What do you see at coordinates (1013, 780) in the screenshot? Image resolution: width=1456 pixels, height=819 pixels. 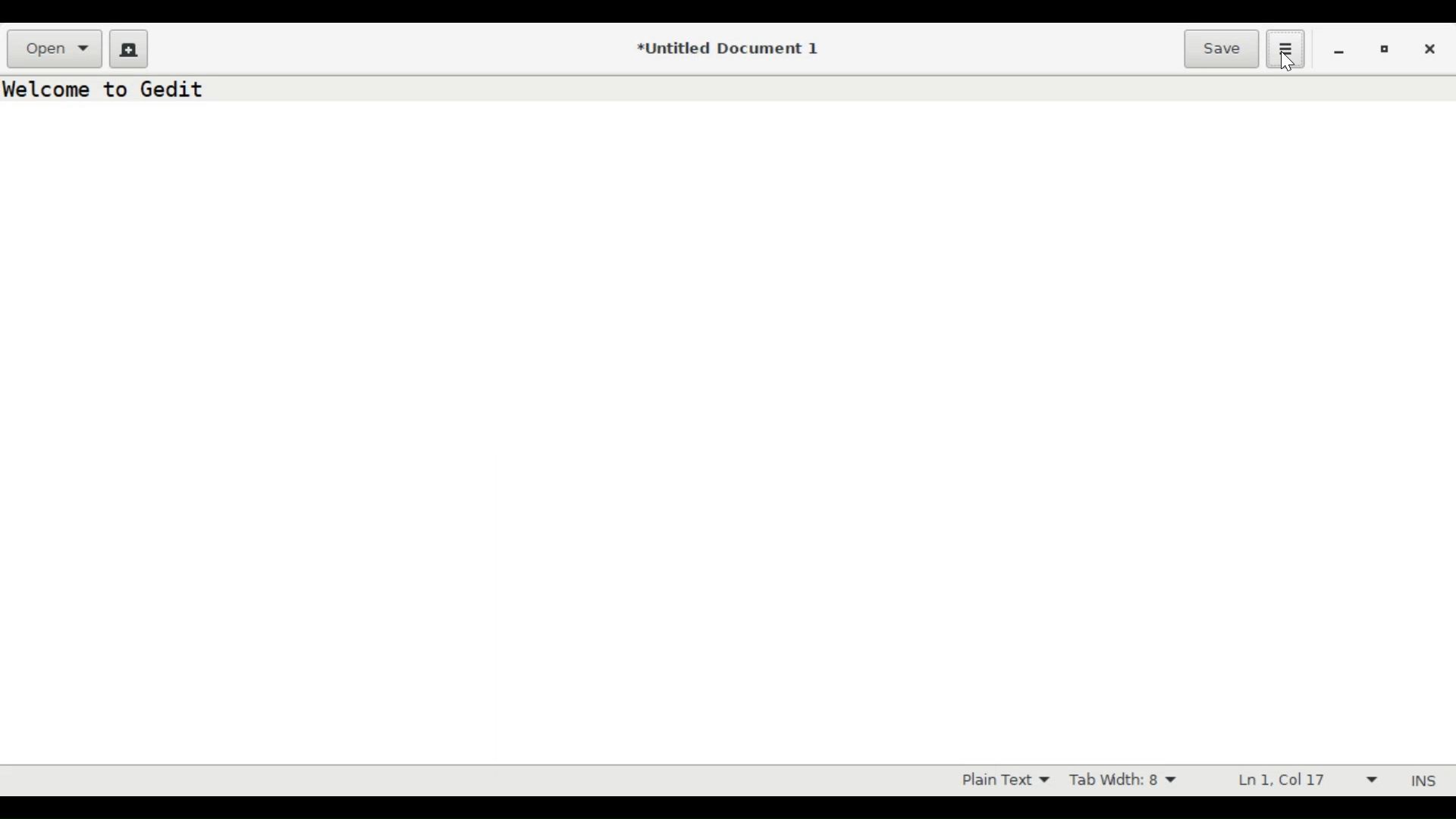 I see `Highlight Mode dropdown menu` at bounding box center [1013, 780].